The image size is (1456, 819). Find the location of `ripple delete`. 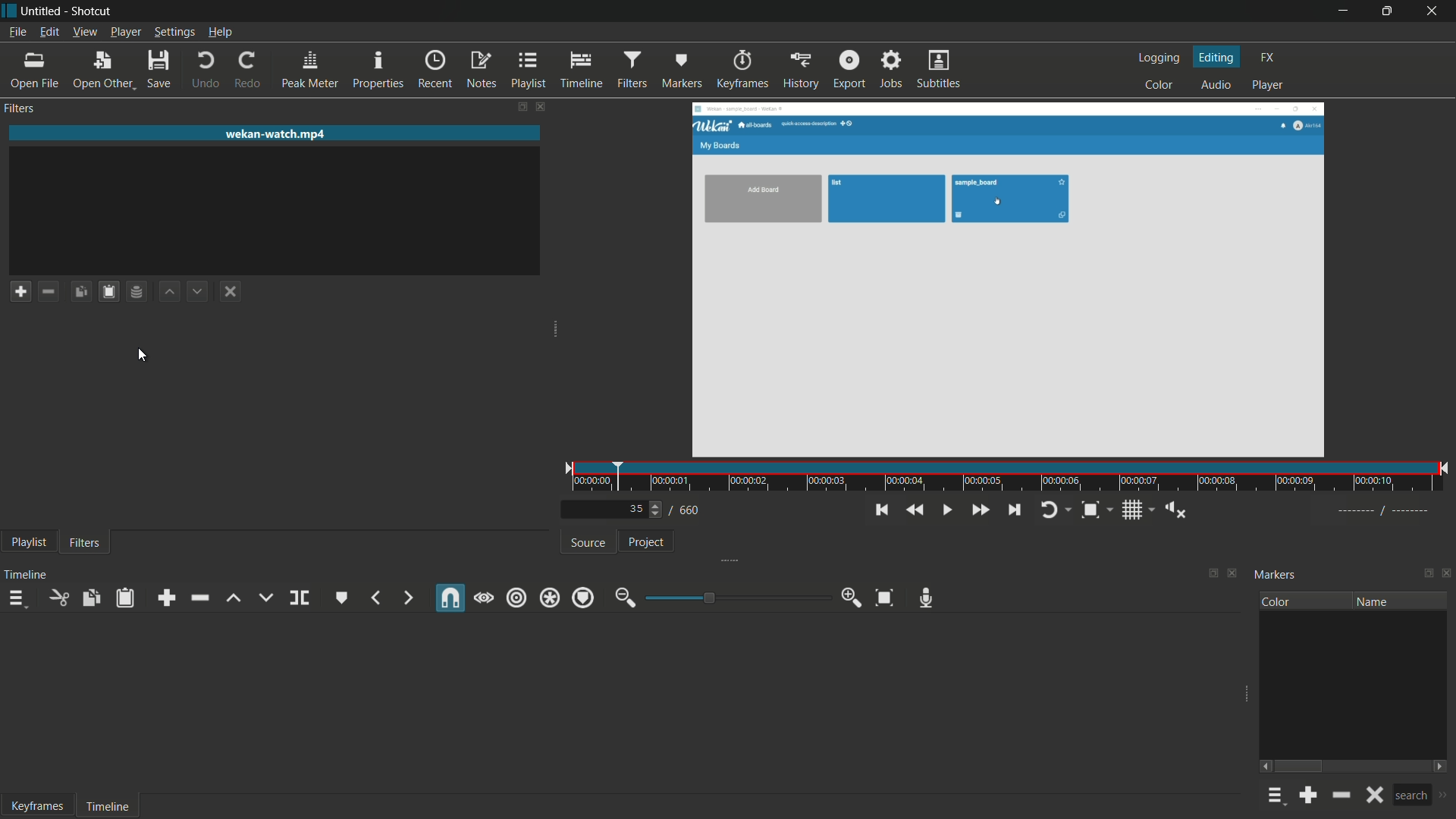

ripple delete is located at coordinates (199, 598).